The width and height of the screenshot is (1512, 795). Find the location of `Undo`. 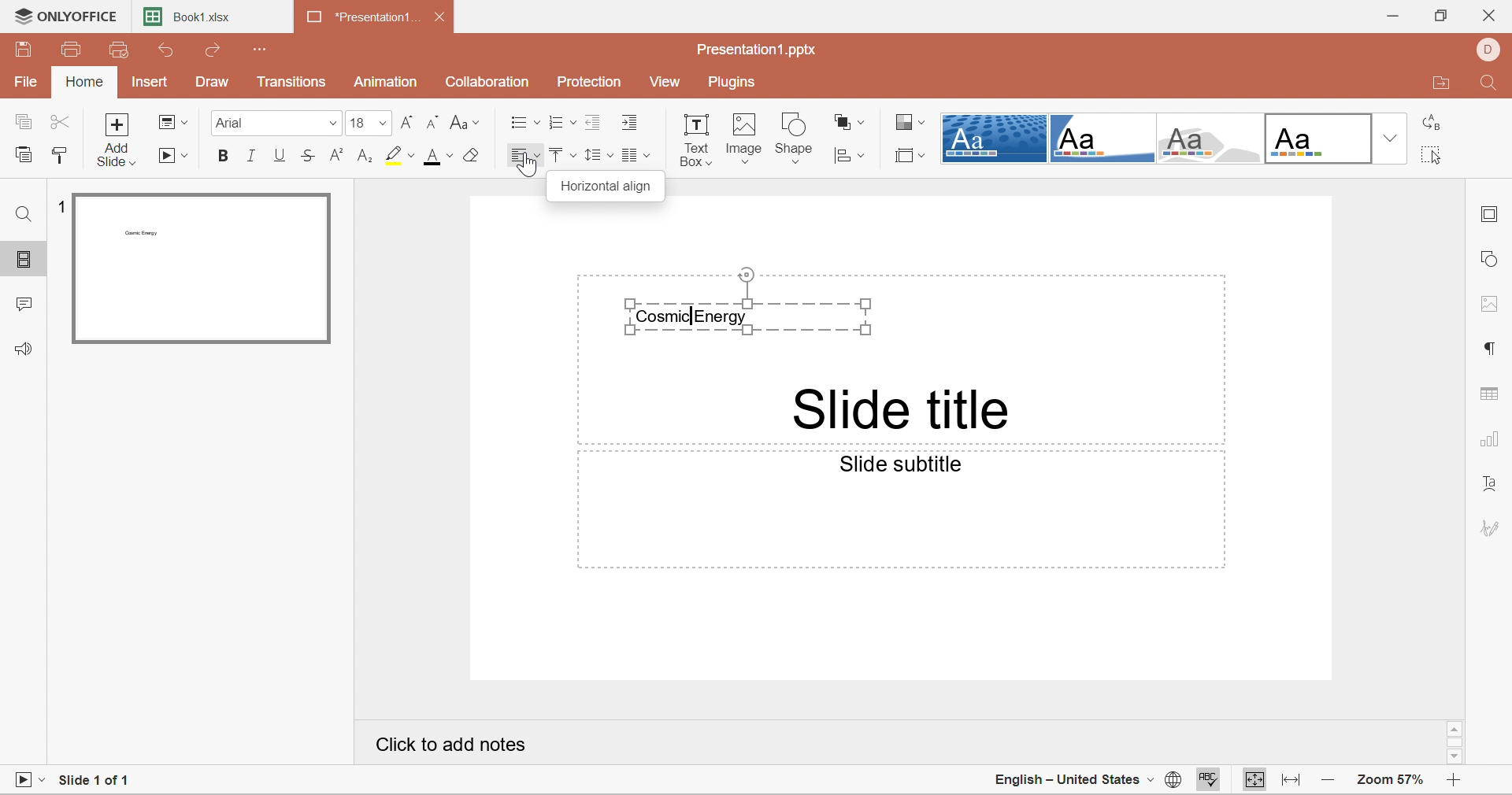

Undo is located at coordinates (166, 50).